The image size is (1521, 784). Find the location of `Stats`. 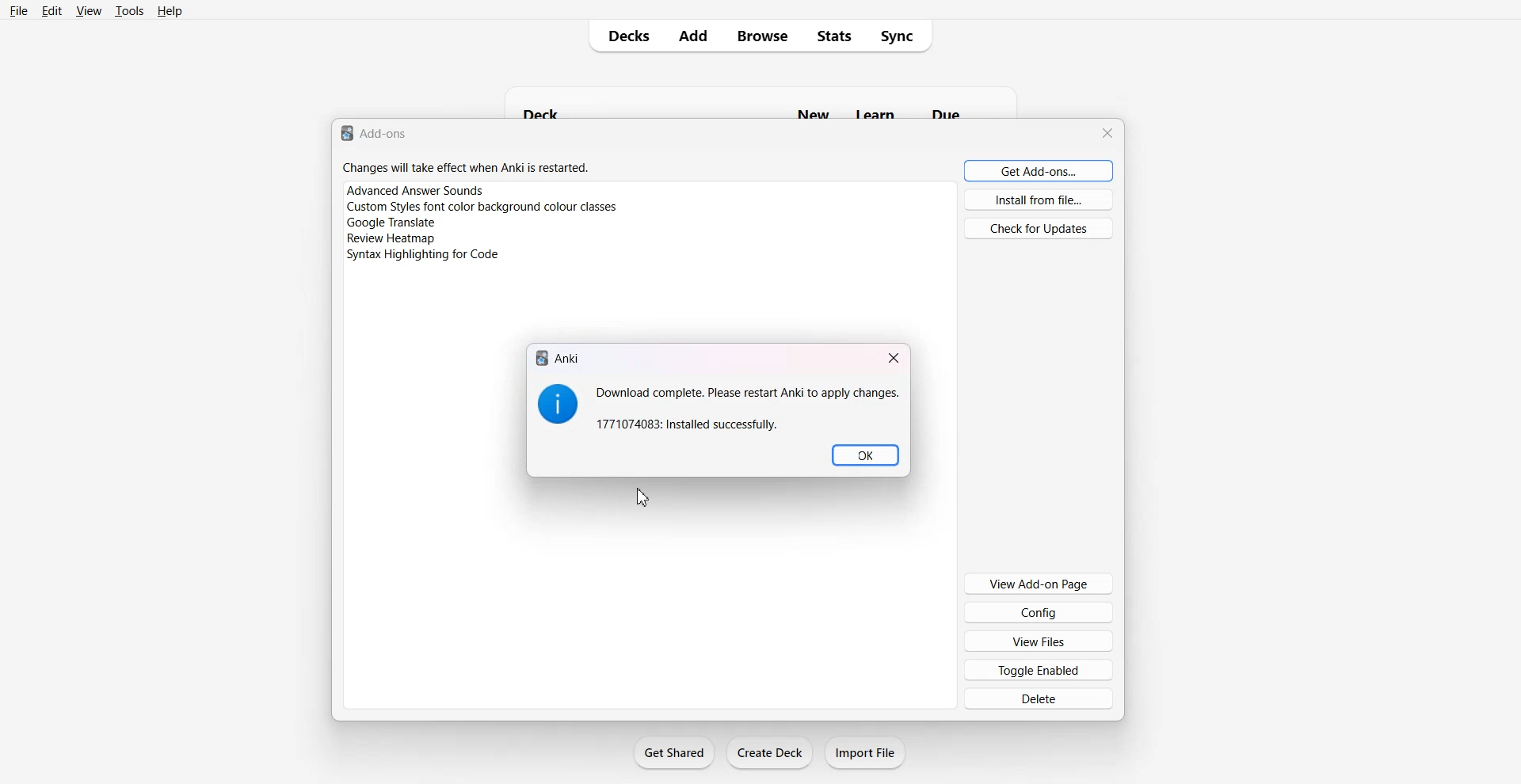

Stats is located at coordinates (838, 36).